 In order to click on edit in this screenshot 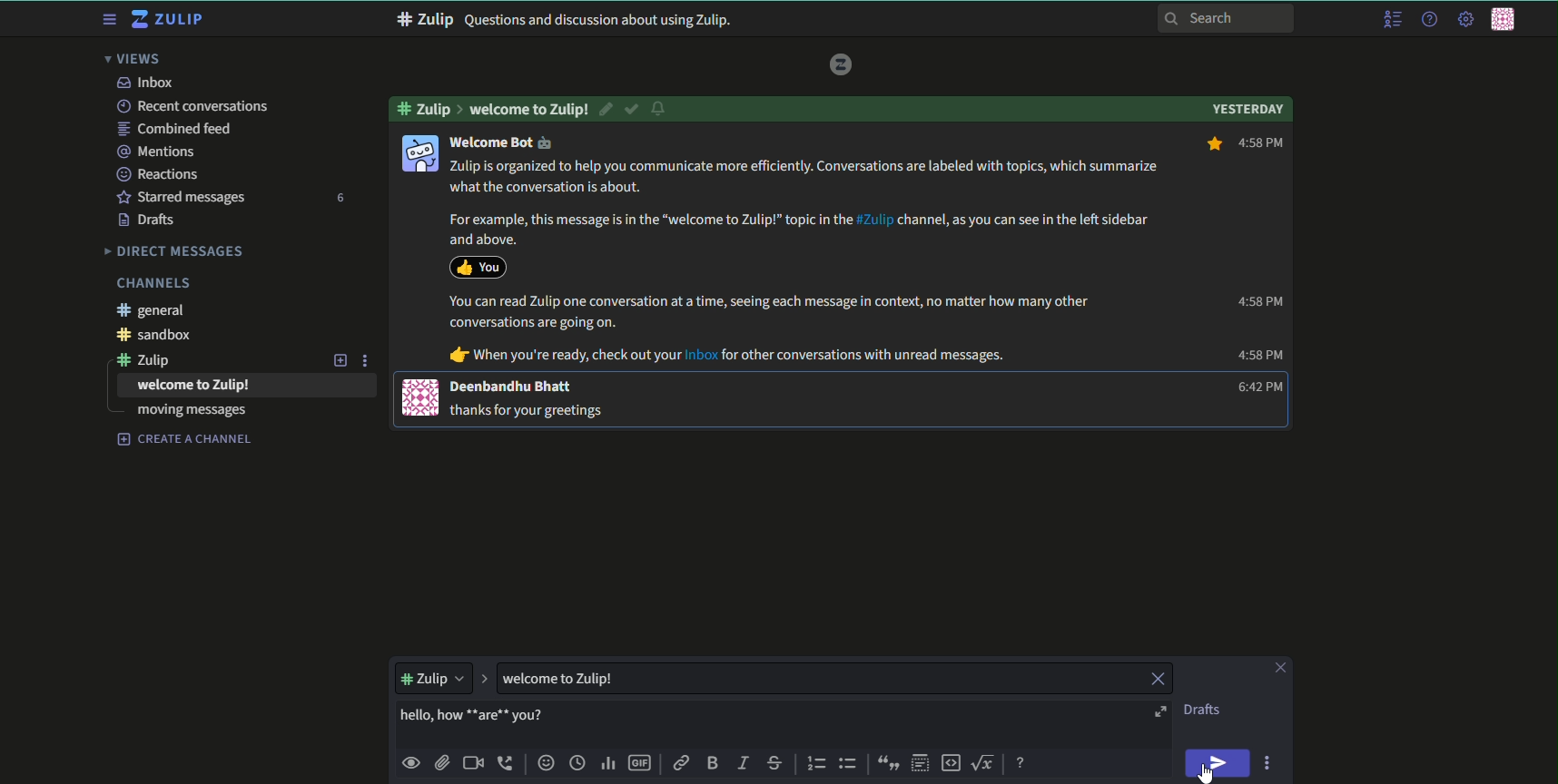, I will do `click(607, 109)`.